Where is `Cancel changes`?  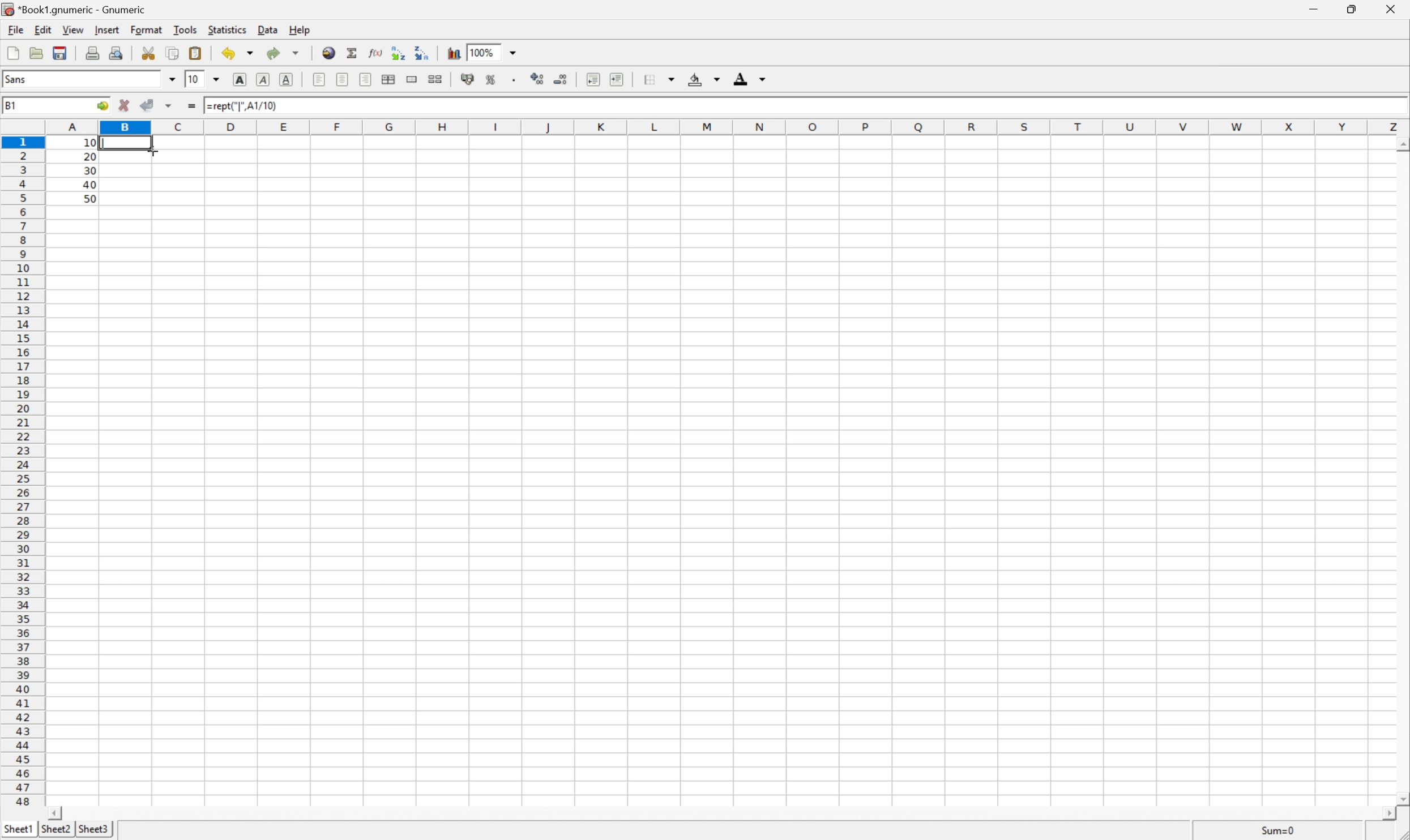 Cancel changes is located at coordinates (126, 106).